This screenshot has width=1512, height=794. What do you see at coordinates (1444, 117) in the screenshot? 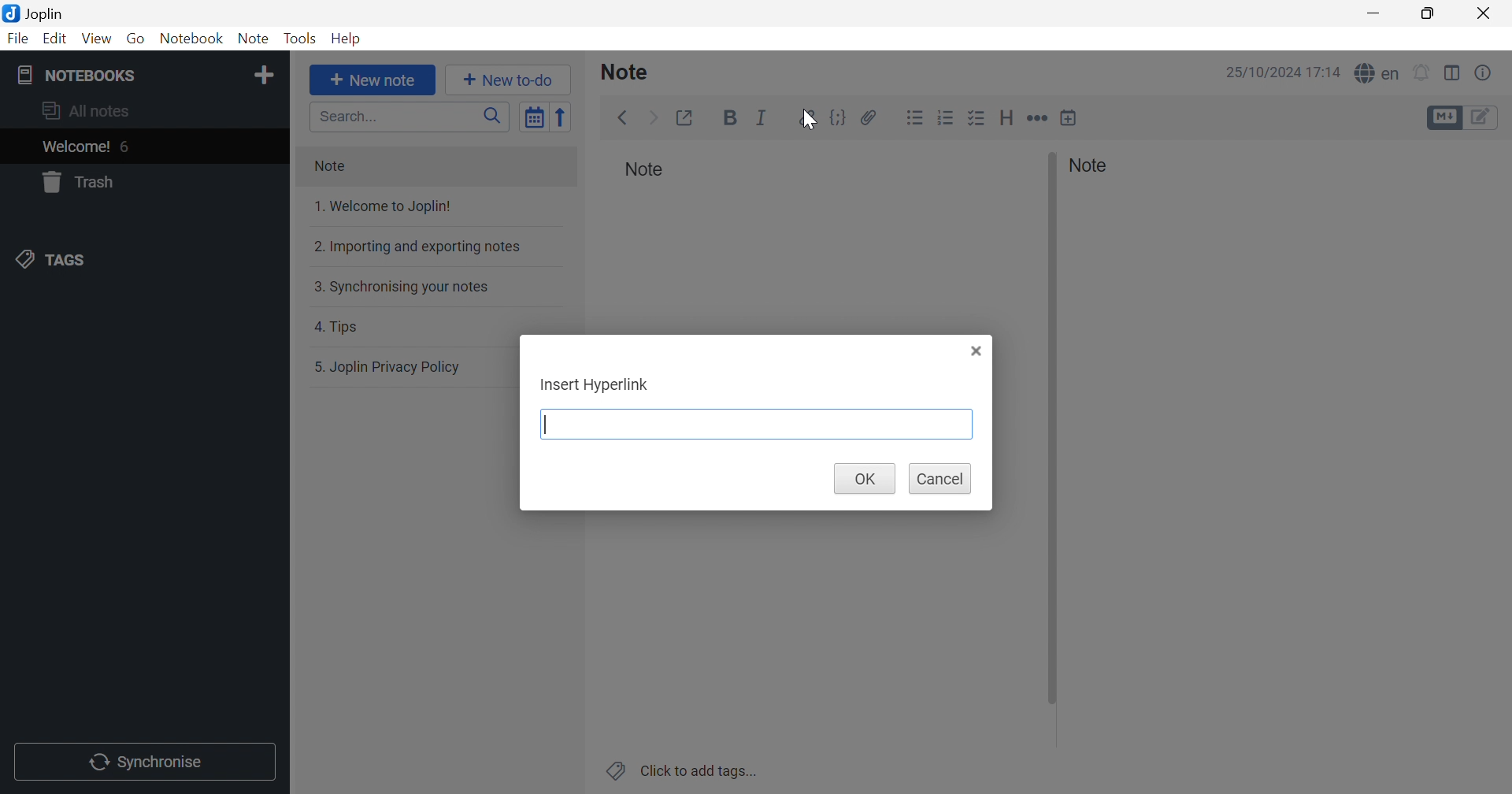
I see `Toggle editors` at bounding box center [1444, 117].